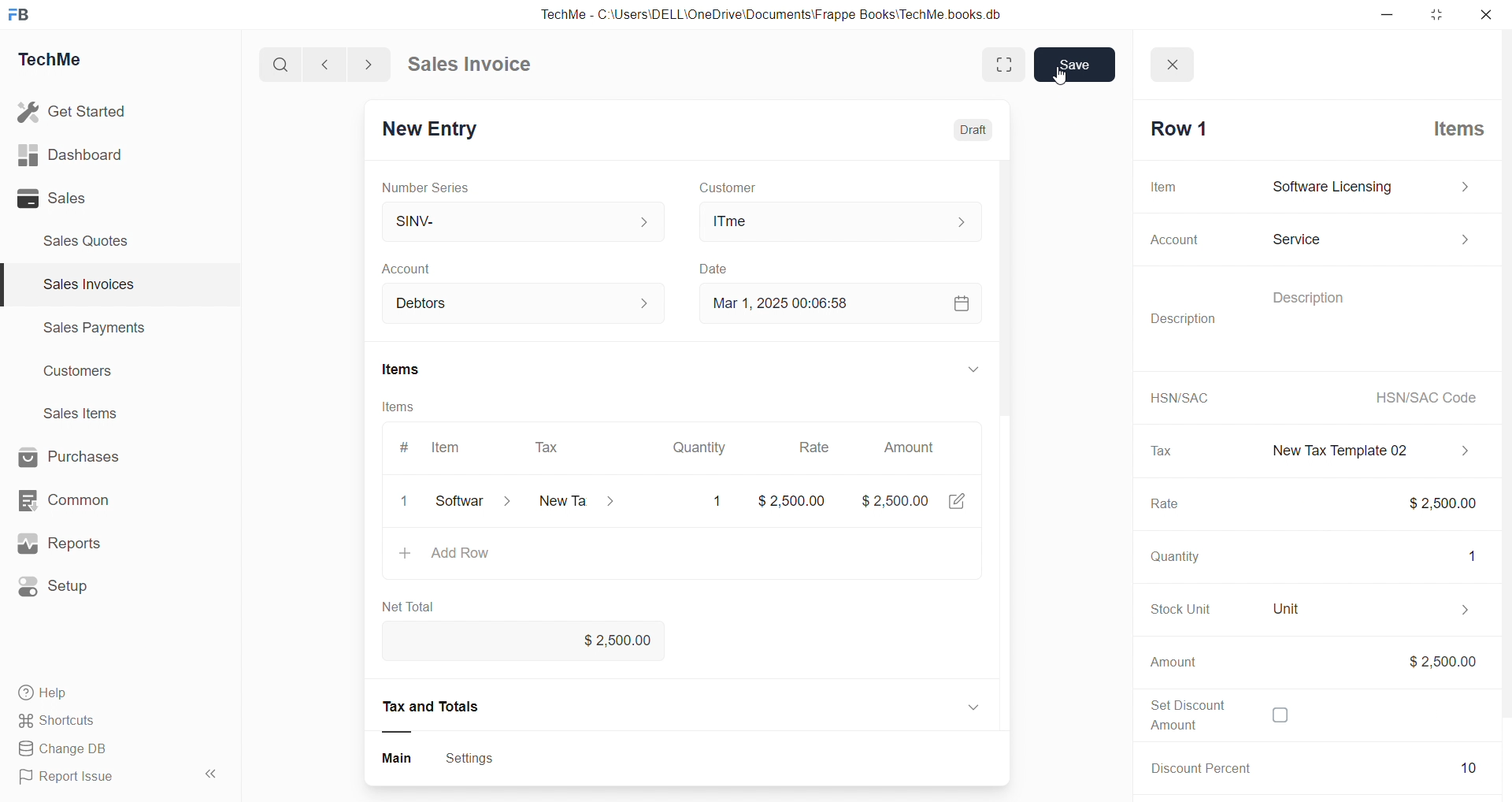 This screenshot has width=1512, height=802. What do you see at coordinates (1173, 663) in the screenshot?
I see `Amount` at bounding box center [1173, 663].